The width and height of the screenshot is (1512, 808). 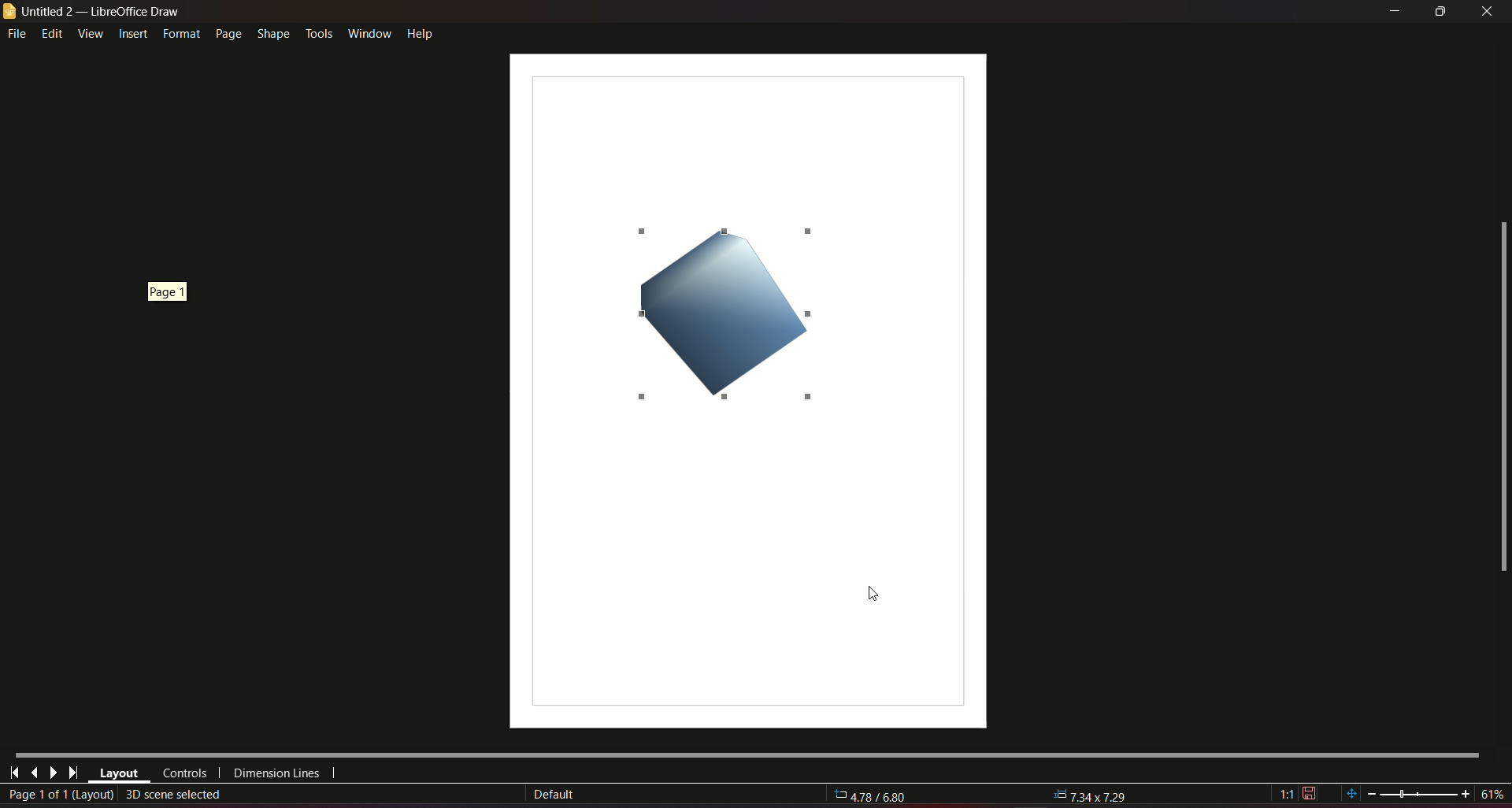 I want to click on tools, so click(x=318, y=32).